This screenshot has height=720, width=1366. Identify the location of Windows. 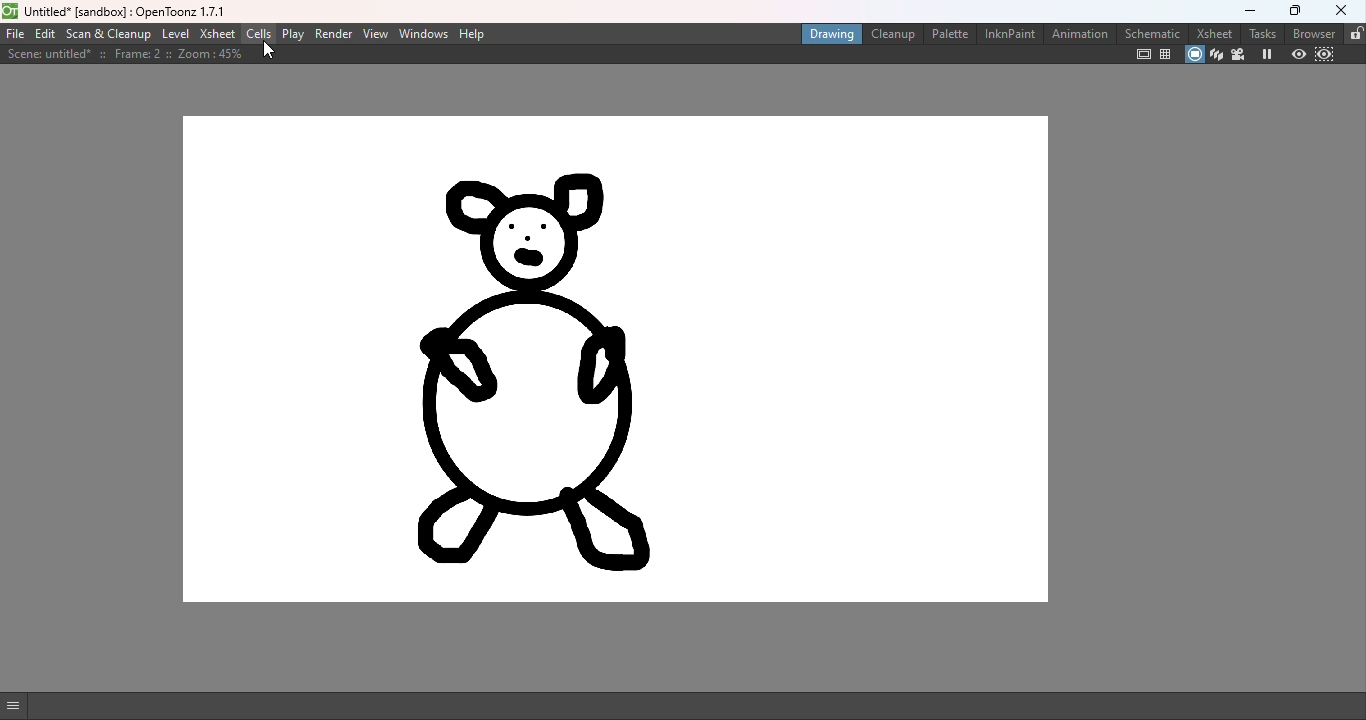
(425, 34).